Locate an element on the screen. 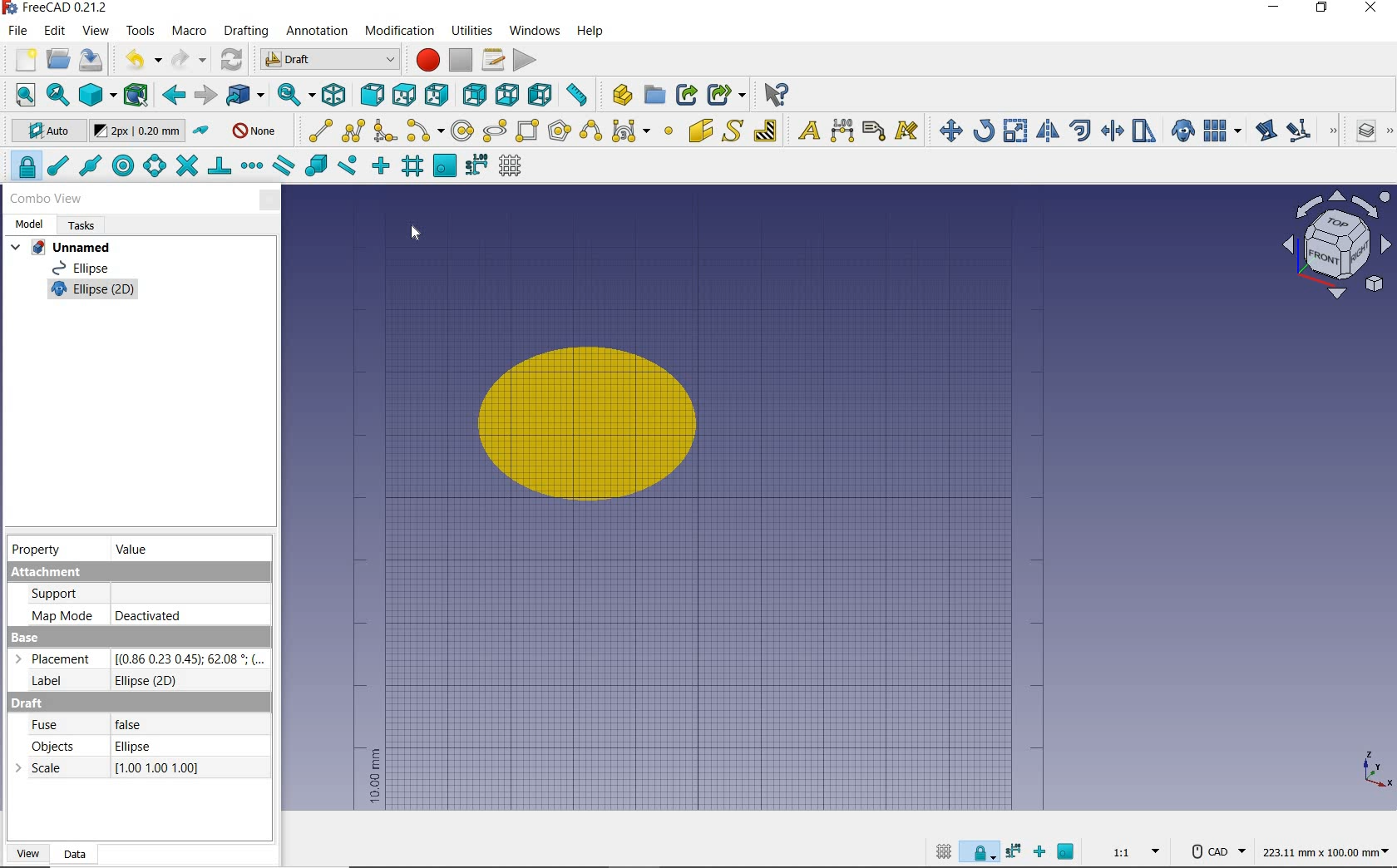 The width and height of the screenshot is (1397, 868). array tools is located at coordinates (1222, 130).